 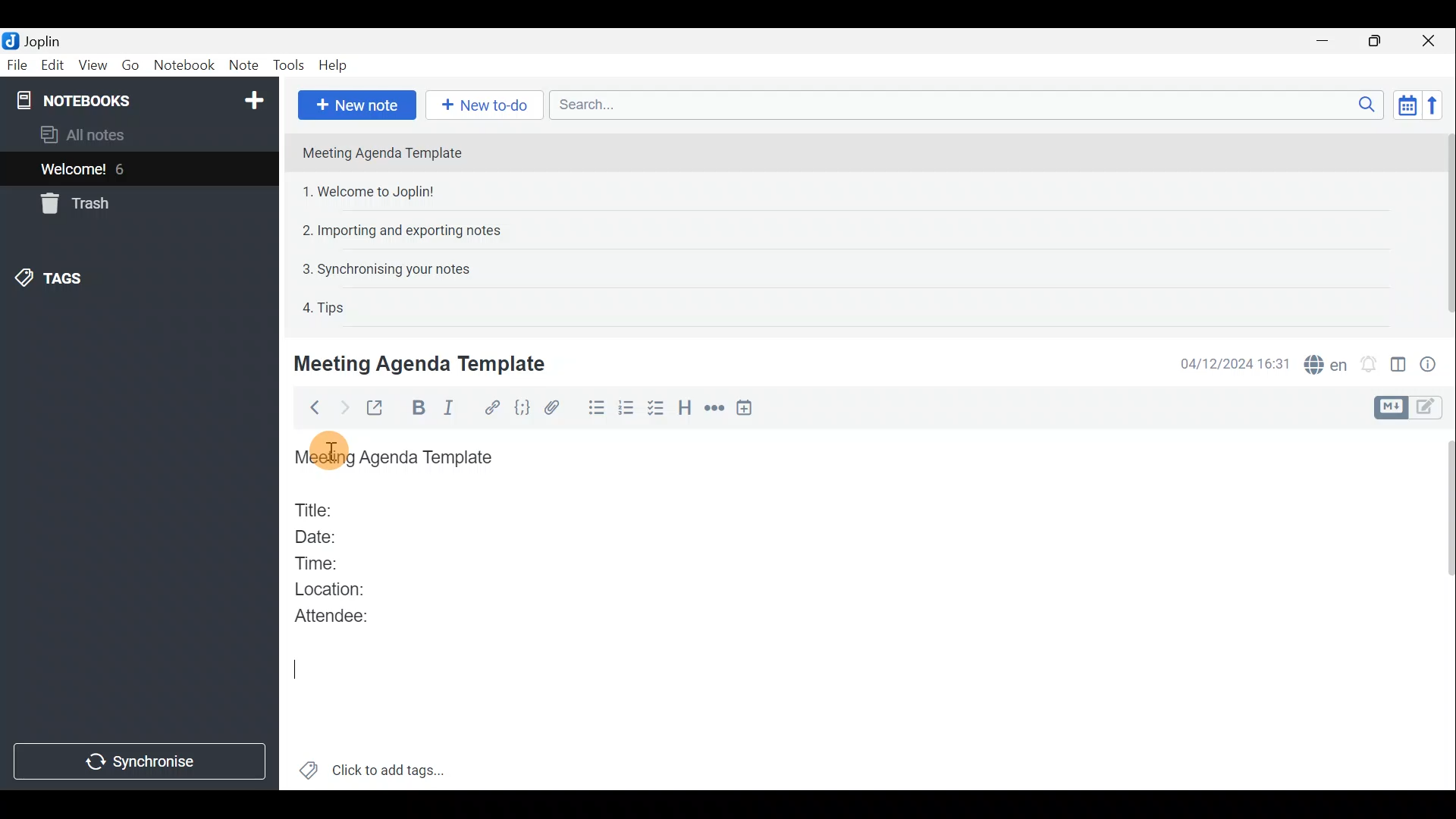 I want to click on Click to add tags, so click(x=393, y=767).